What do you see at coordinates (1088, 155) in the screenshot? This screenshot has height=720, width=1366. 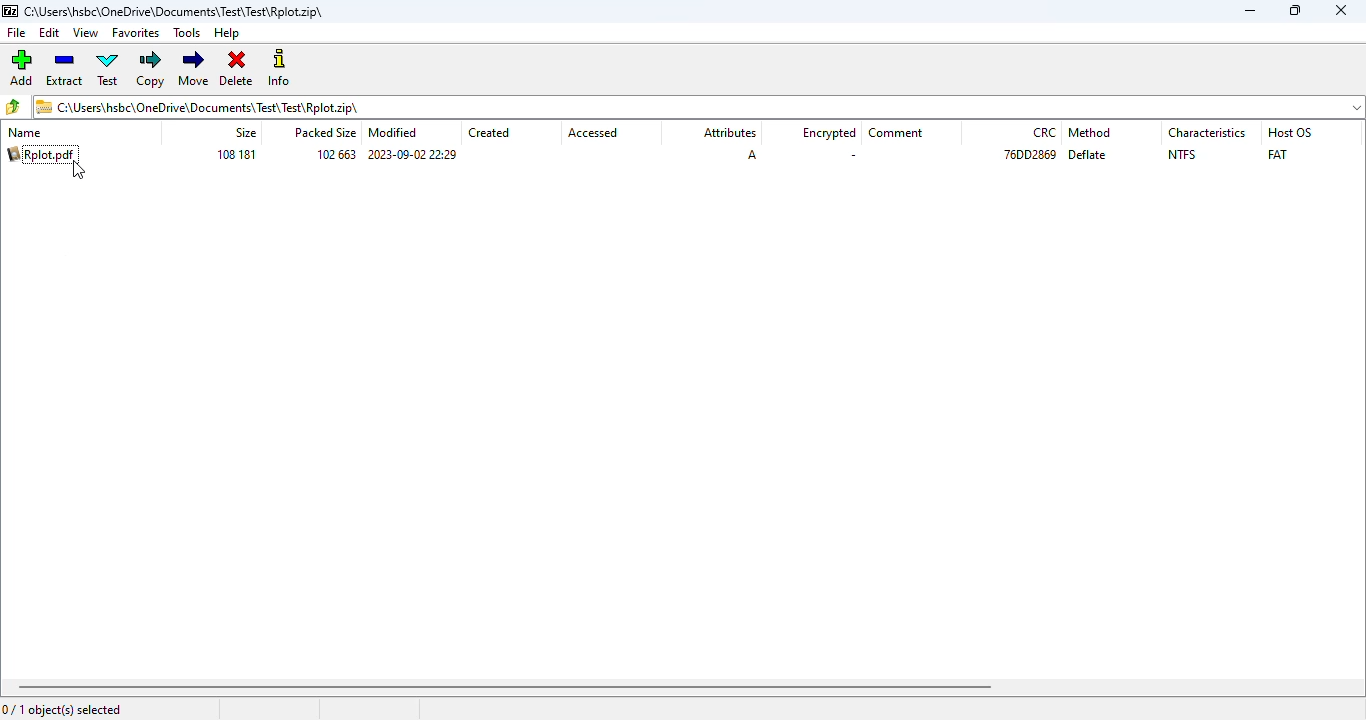 I see `deflate` at bounding box center [1088, 155].